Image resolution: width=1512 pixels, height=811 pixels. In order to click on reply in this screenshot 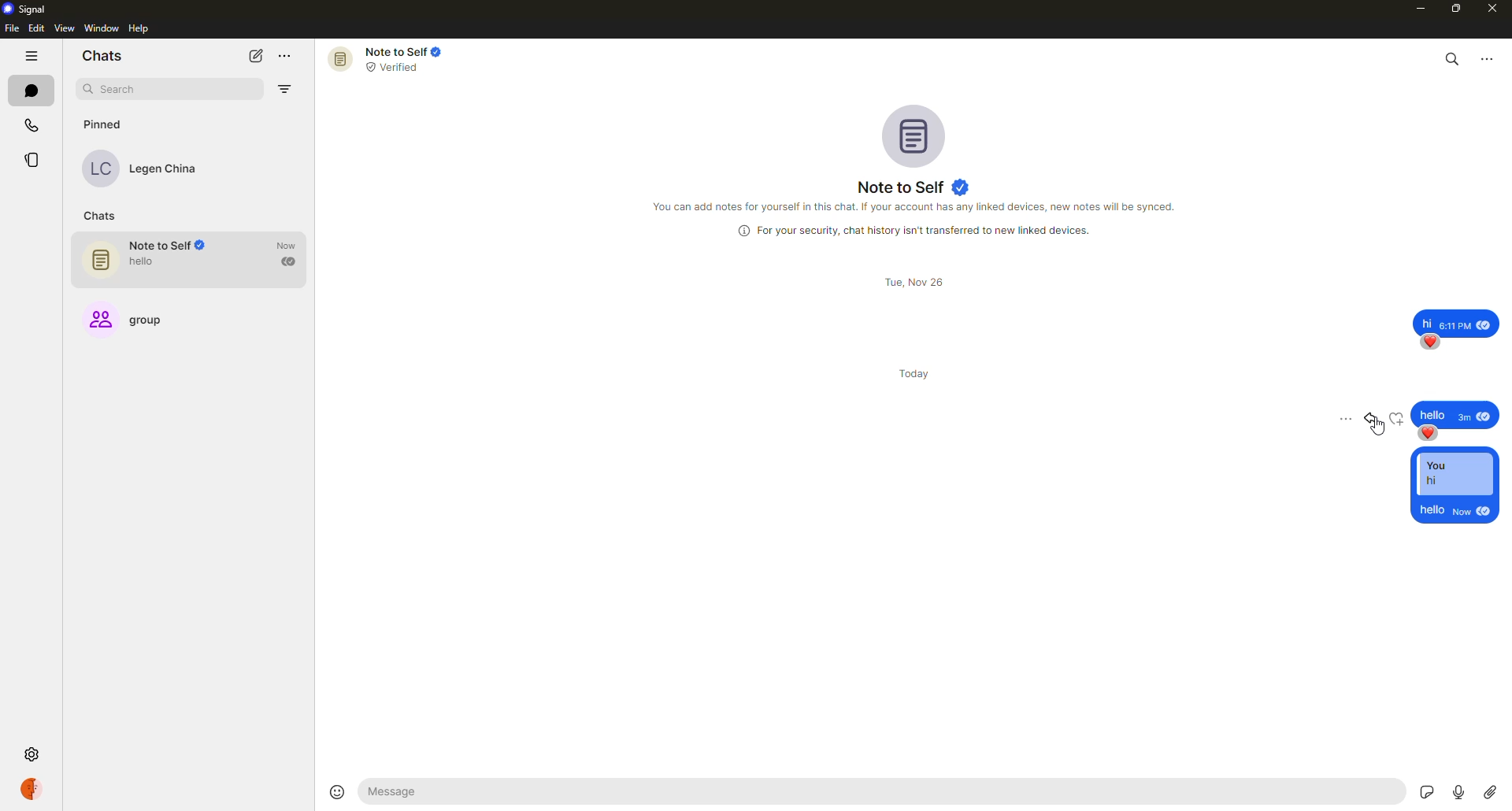, I will do `click(1453, 484)`.